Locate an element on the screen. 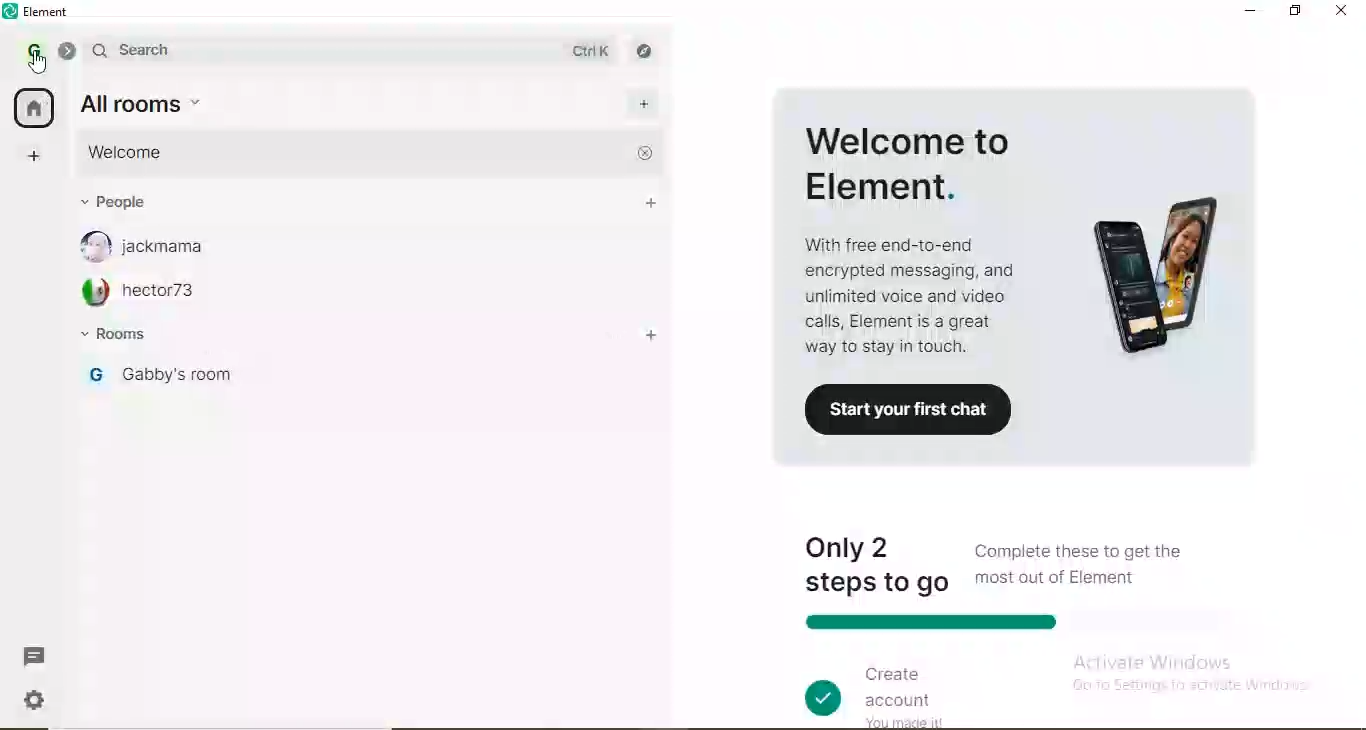 This screenshot has width=1366, height=730. all rooms is located at coordinates (144, 102).